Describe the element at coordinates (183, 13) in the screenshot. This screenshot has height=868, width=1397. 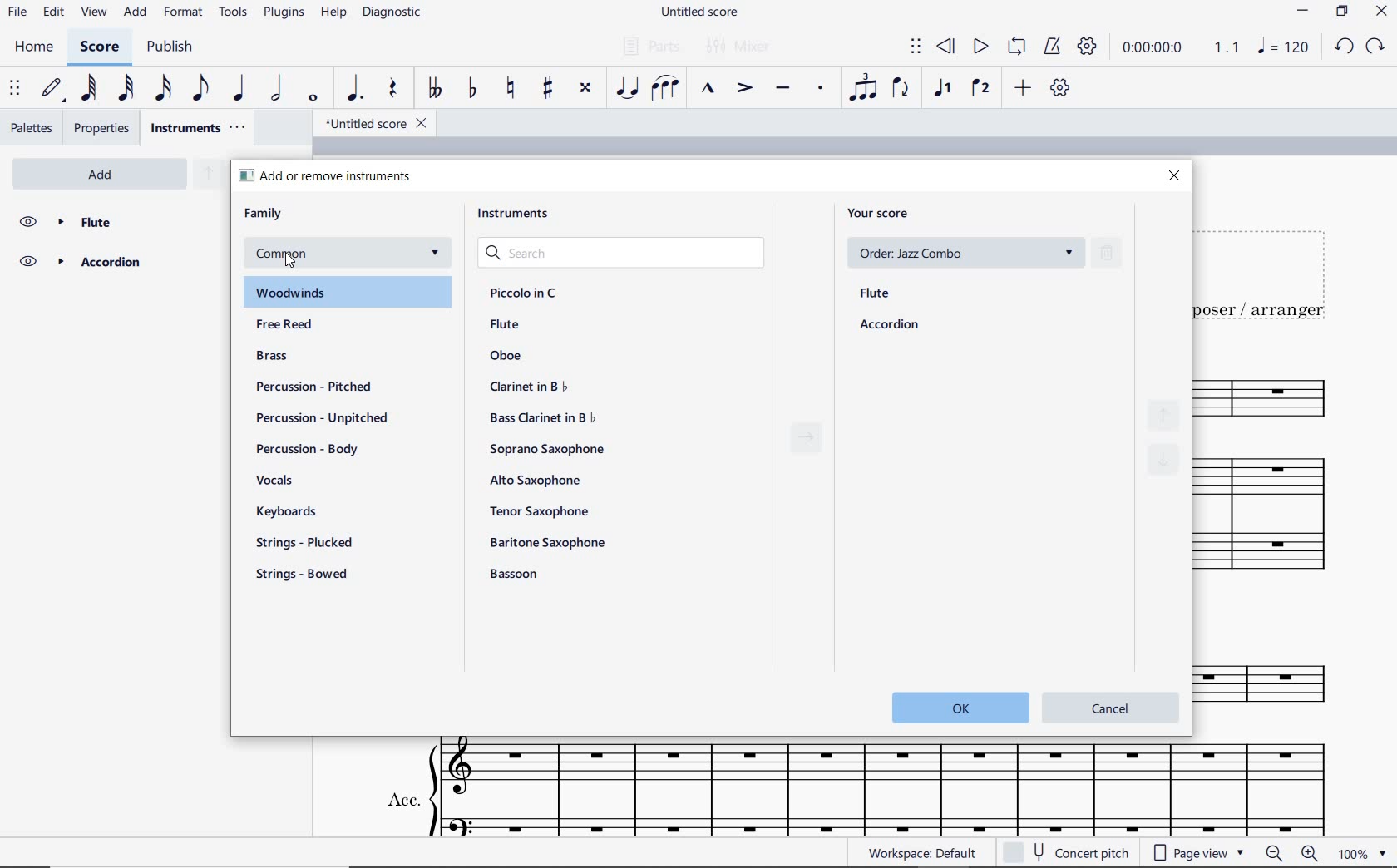
I see `FORMAT` at that location.